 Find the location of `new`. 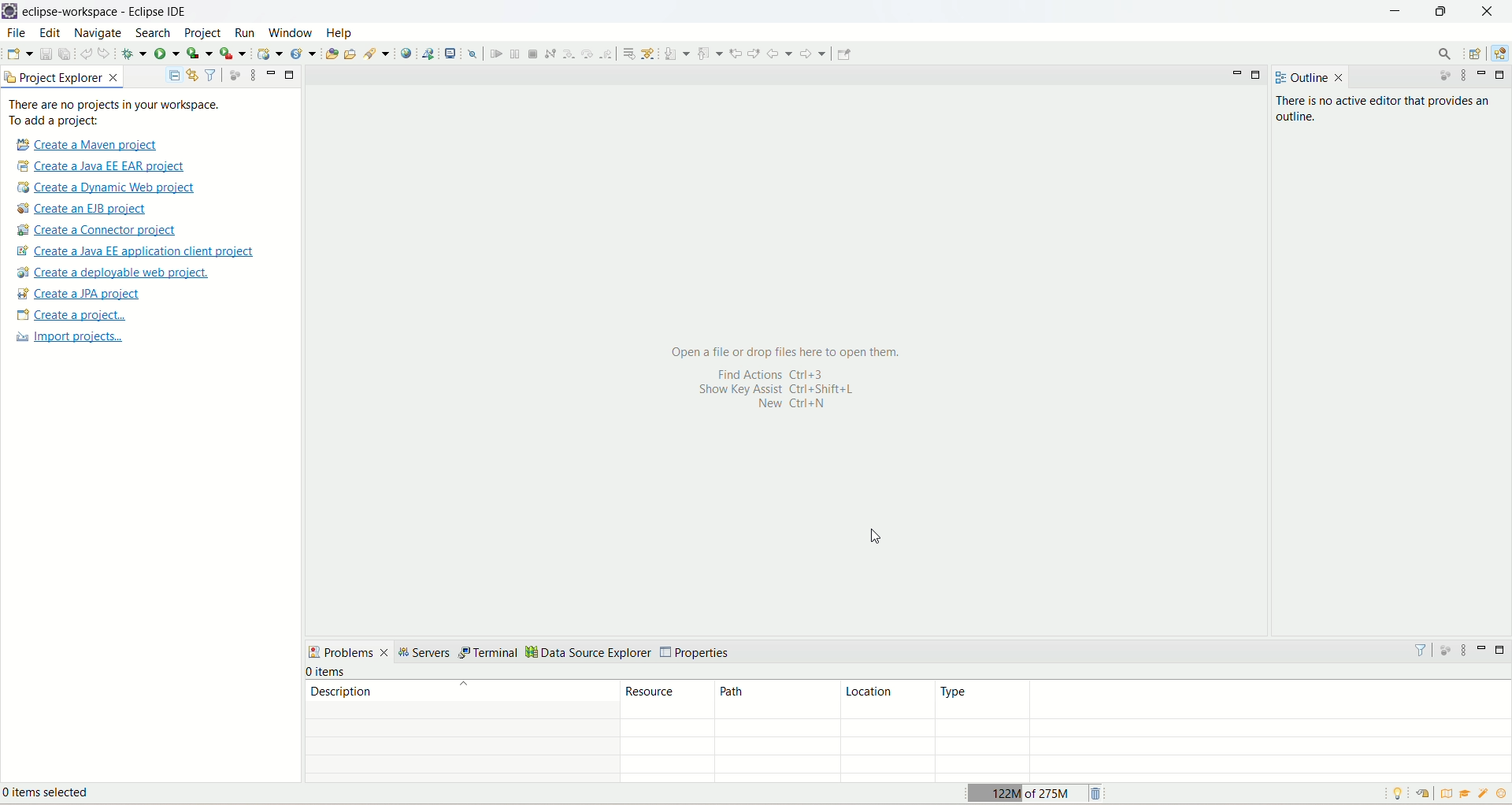

new is located at coordinates (19, 54).